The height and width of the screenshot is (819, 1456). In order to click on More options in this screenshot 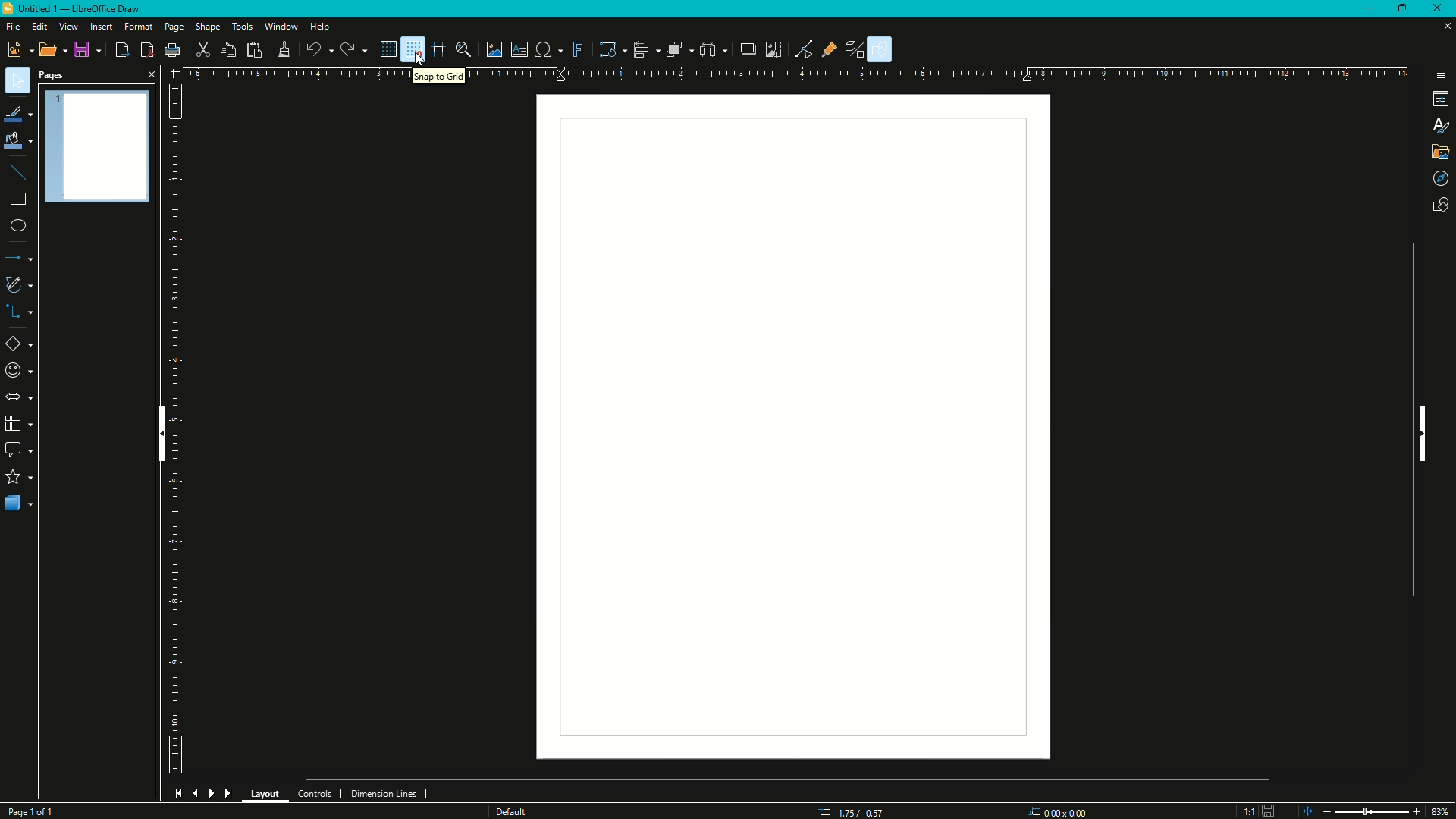, I will do `click(1437, 74)`.